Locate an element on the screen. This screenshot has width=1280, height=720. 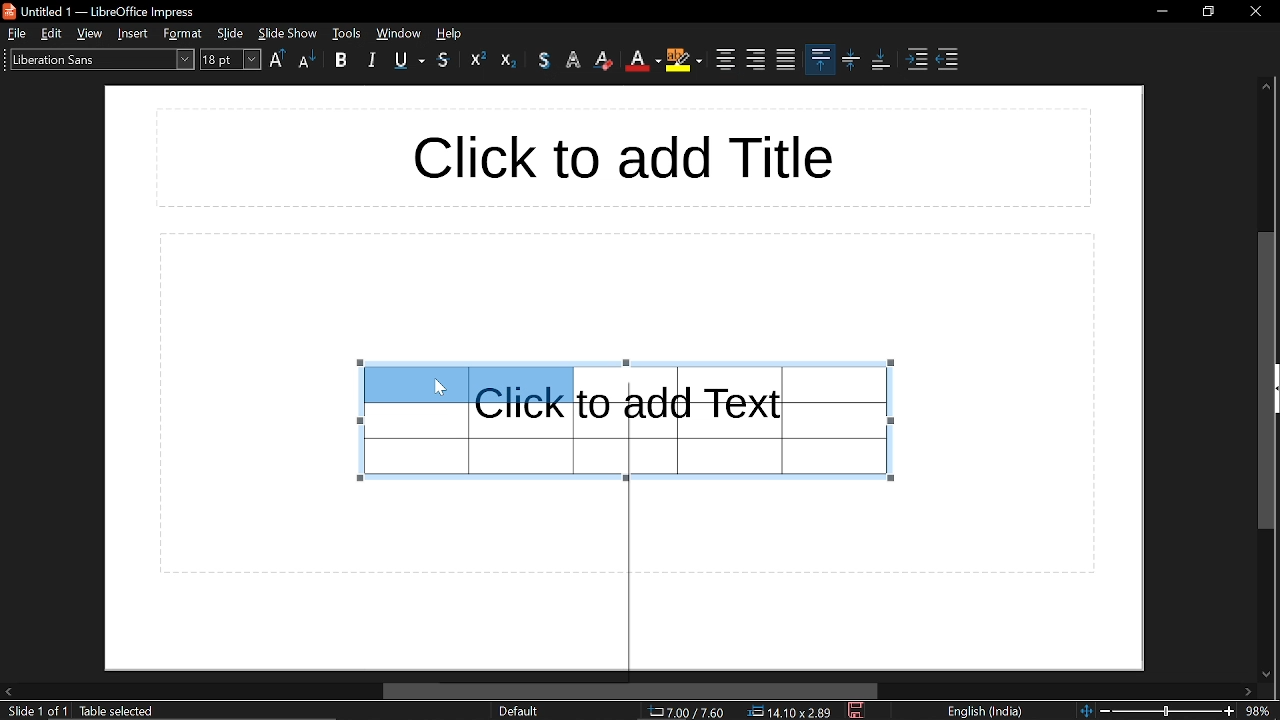
move left is located at coordinates (8, 690).